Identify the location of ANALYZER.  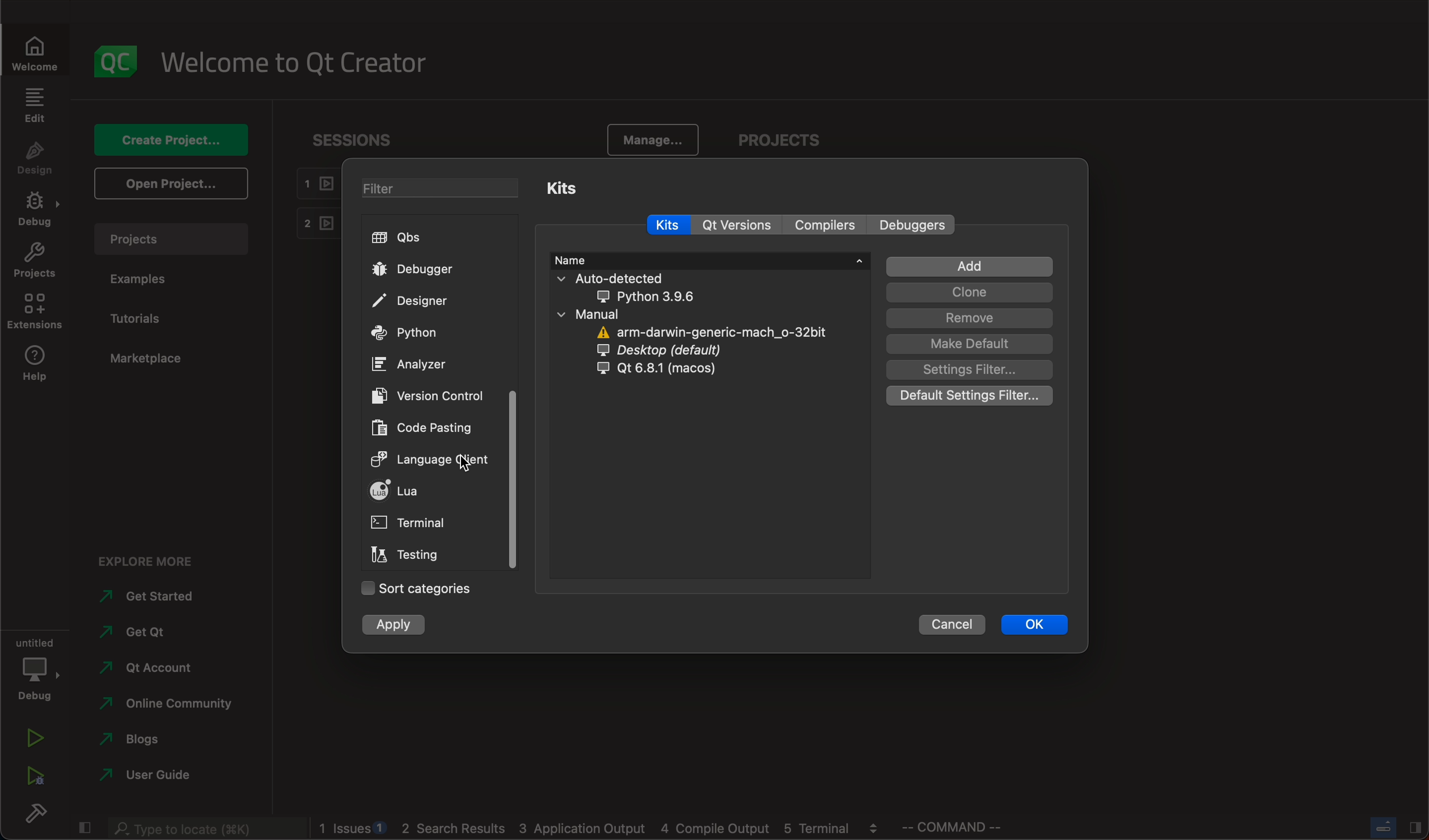
(418, 364).